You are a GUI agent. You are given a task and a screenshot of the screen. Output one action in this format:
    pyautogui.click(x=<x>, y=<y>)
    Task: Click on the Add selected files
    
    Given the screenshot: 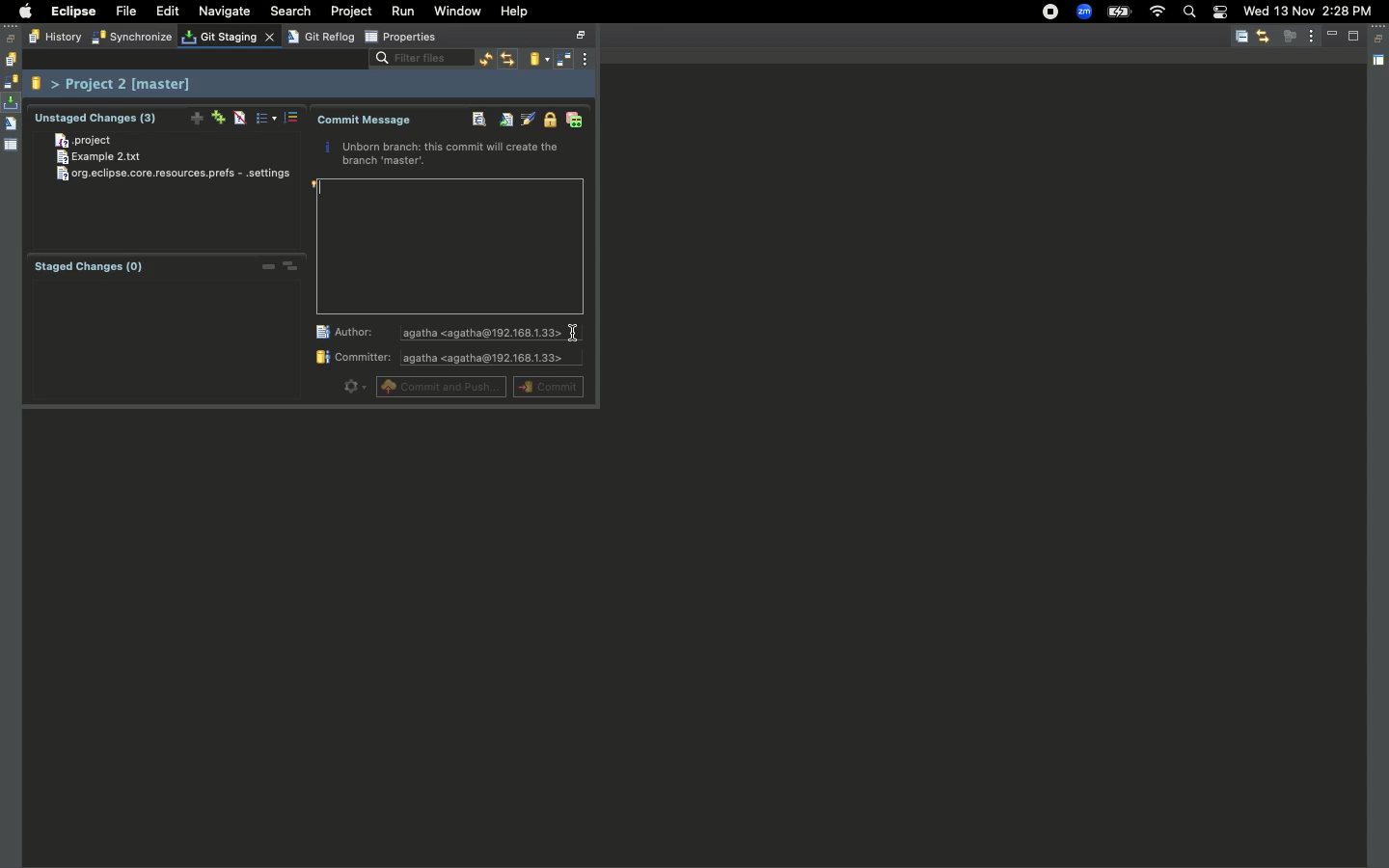 What is the action you would take?
    pyautogui.click(x=193, y=116)
    